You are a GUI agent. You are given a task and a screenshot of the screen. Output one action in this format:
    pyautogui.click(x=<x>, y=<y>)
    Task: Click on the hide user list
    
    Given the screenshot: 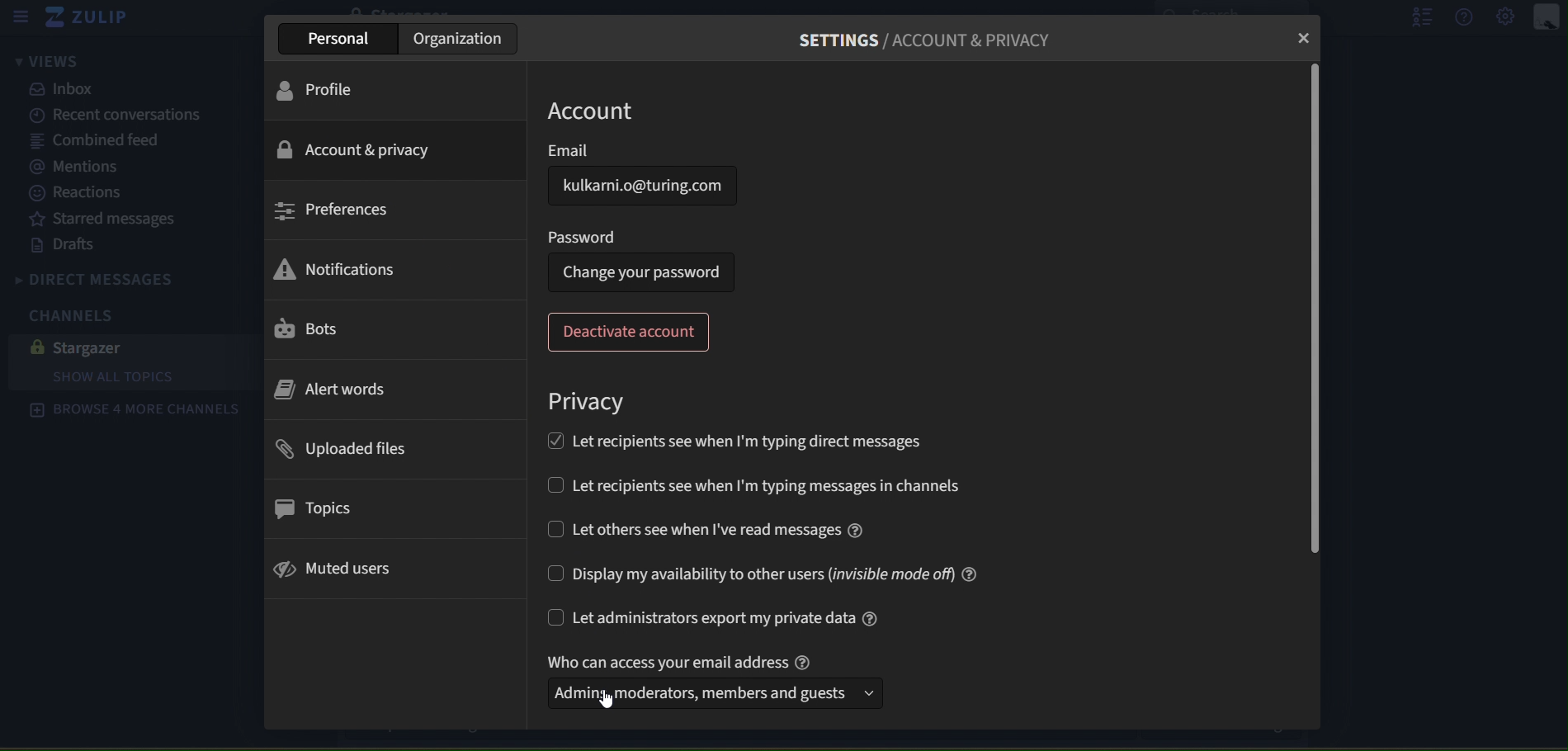 What is the action you would take?
    pyautogui.click(x=1415, y=17)
    